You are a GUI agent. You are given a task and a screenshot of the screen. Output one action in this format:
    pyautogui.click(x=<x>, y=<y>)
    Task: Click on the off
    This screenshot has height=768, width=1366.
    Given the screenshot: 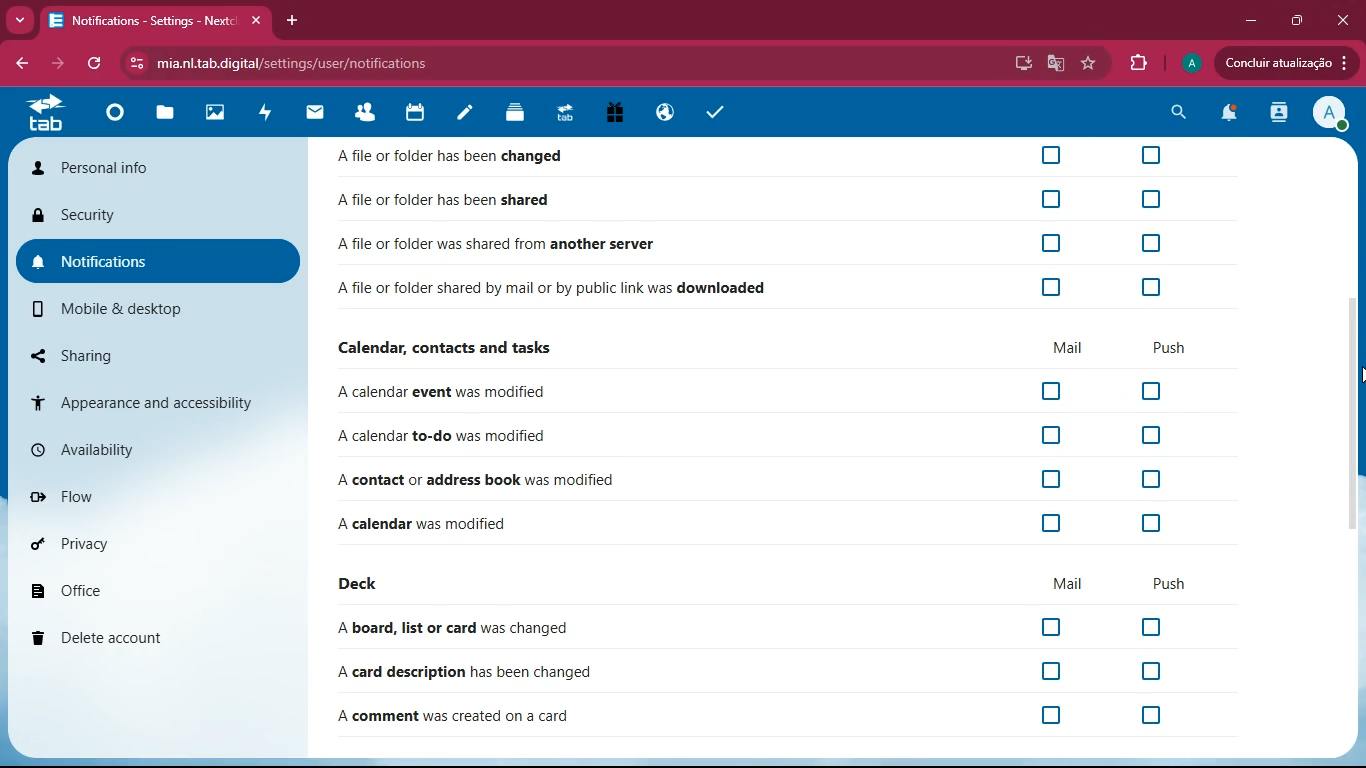 What is the action you would take?
    pyautogui.click(x=1048, y=393)
    